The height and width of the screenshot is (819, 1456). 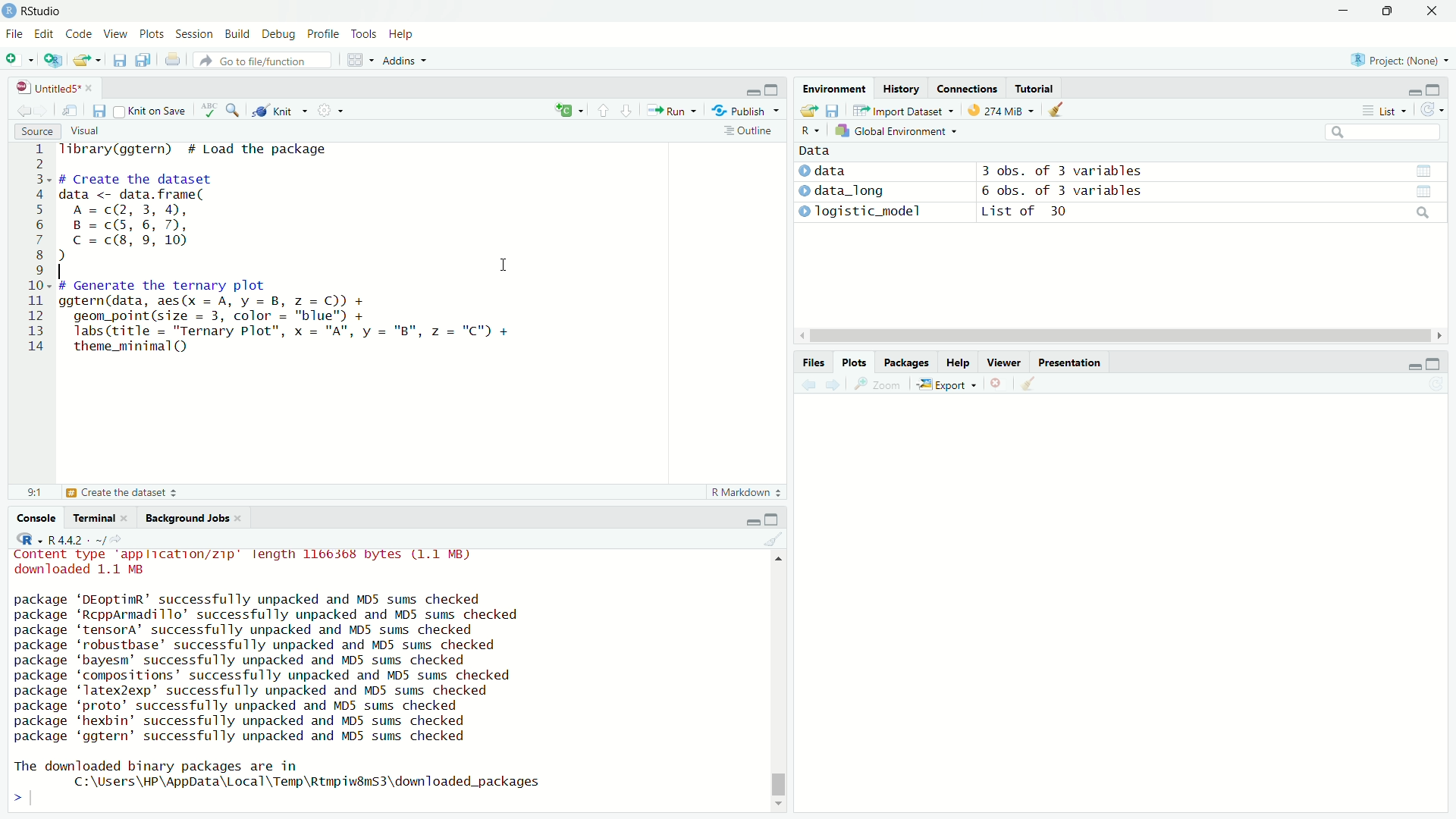 What do you see at coordinates (899, 110) in the screenshot?
I see `Import Dataset` at bounding box center [899, 110].